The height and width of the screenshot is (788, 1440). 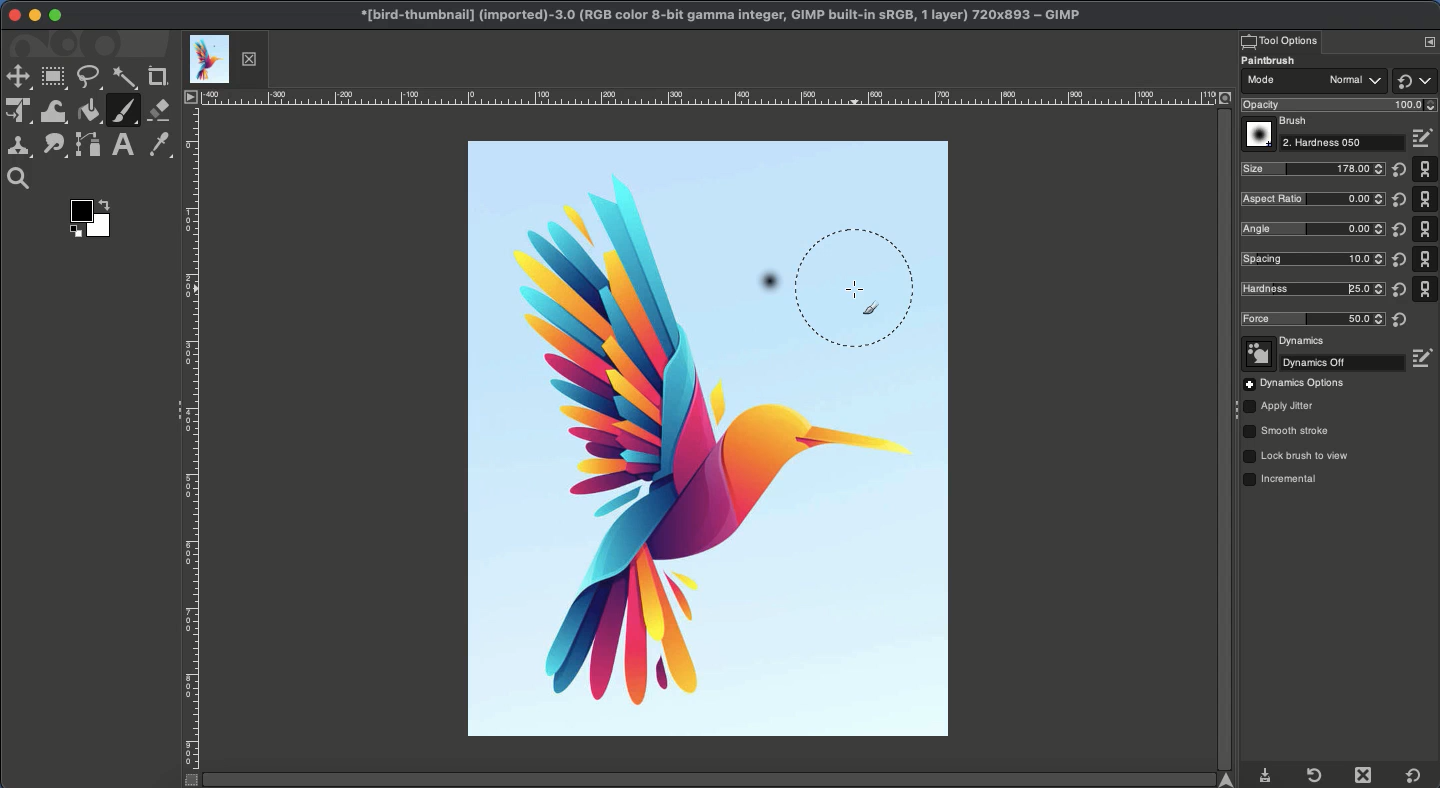 I want to click on Ratio, so click(x=1314, y=200).